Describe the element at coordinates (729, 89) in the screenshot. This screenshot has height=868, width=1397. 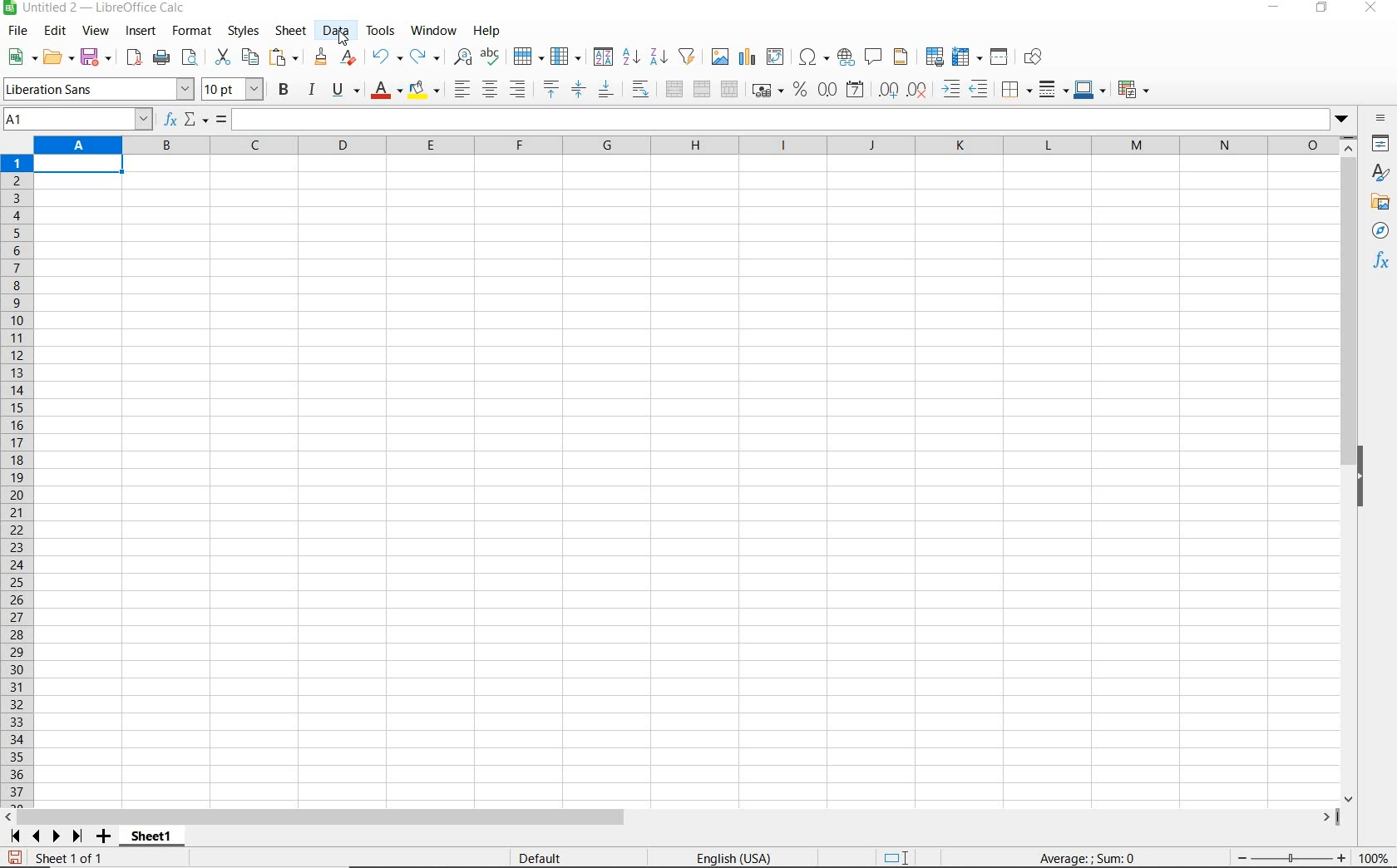
I see `unmerge cells` at that location.